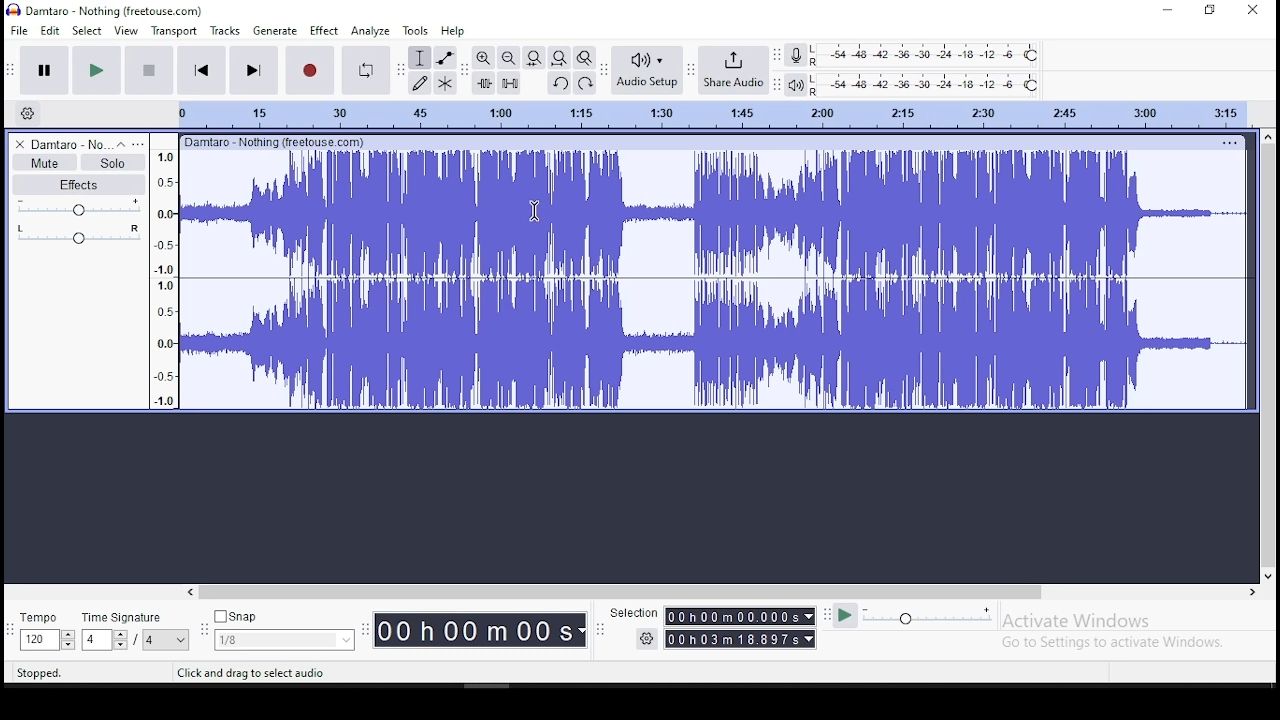 The image size is (1280, 720). Describe the element at coordinates (913, 618) in the screenshot. I see `playback speed` at that location.